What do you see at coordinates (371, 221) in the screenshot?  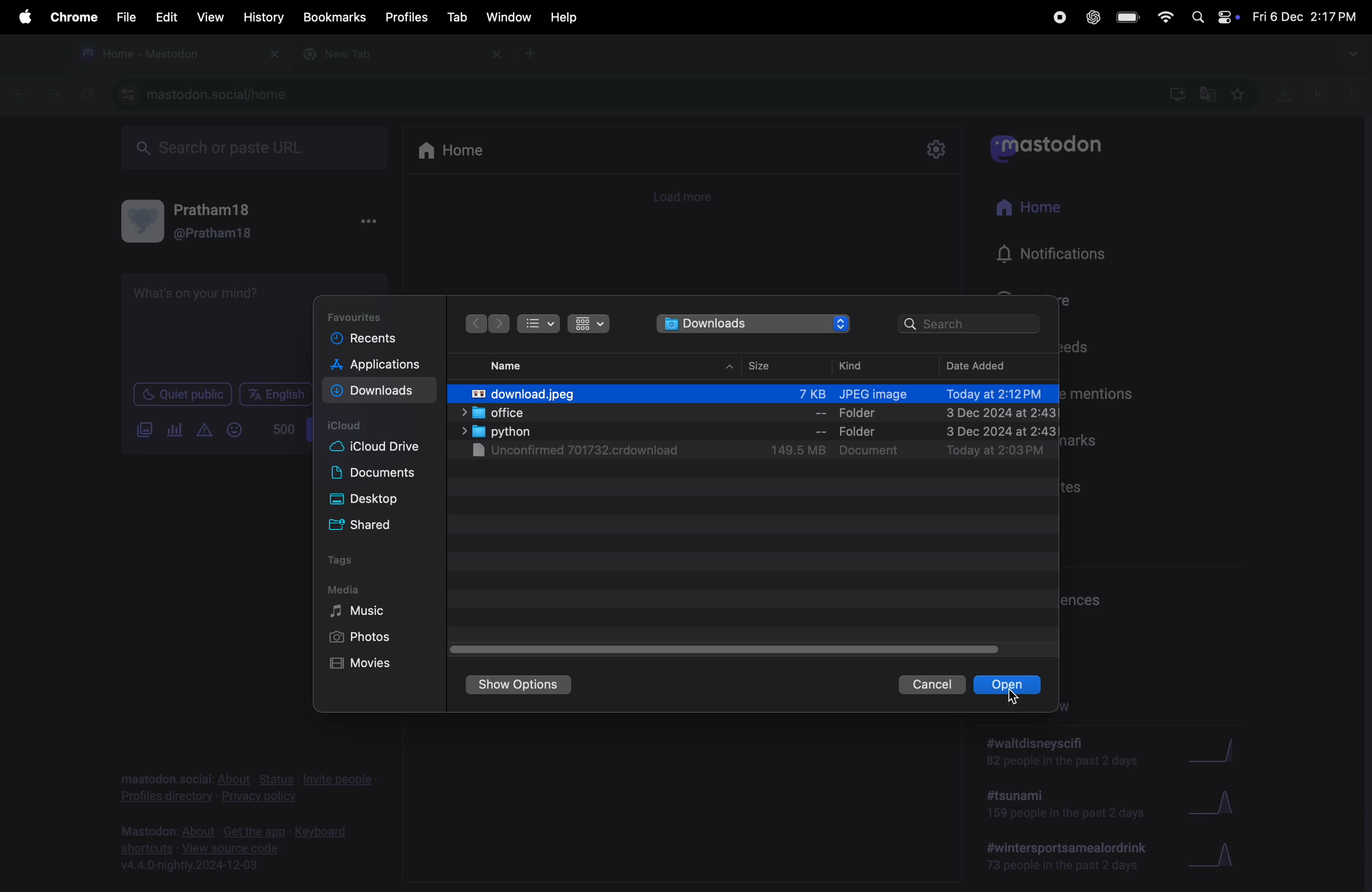 I see `options` at bounding box center [371, 221].